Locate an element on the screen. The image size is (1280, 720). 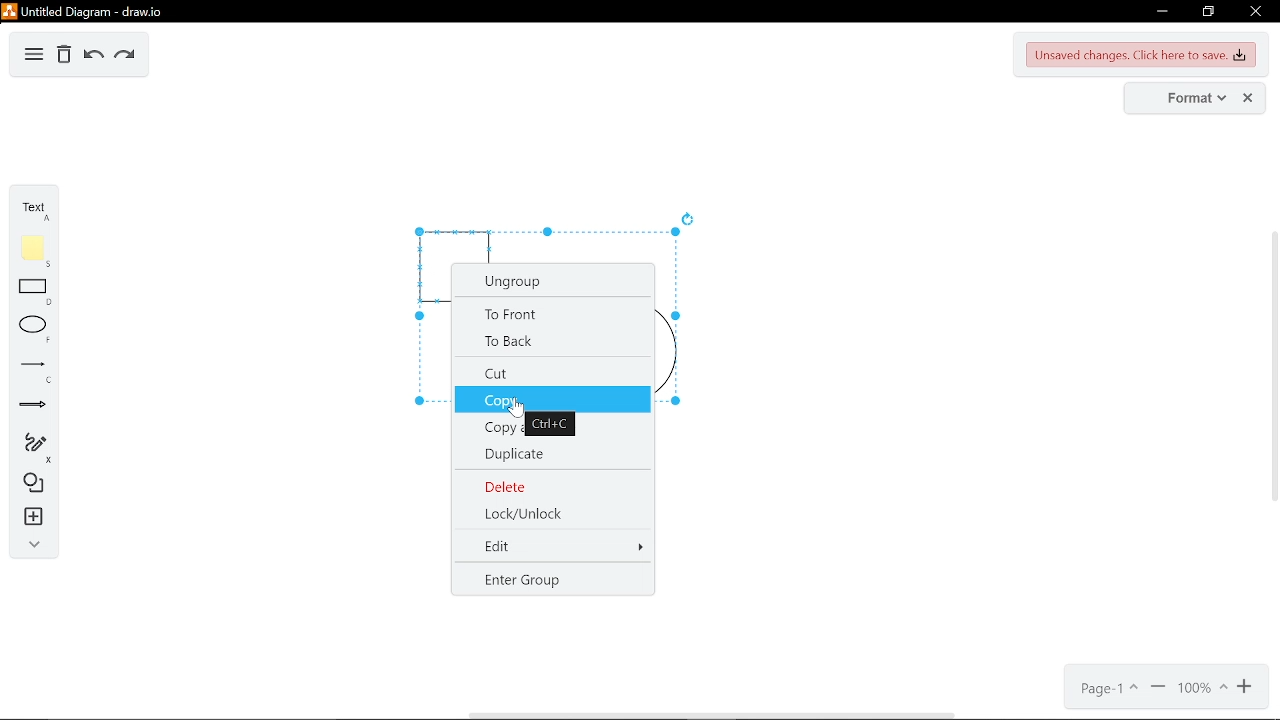
minimize is located at coordinates (1159, 12).